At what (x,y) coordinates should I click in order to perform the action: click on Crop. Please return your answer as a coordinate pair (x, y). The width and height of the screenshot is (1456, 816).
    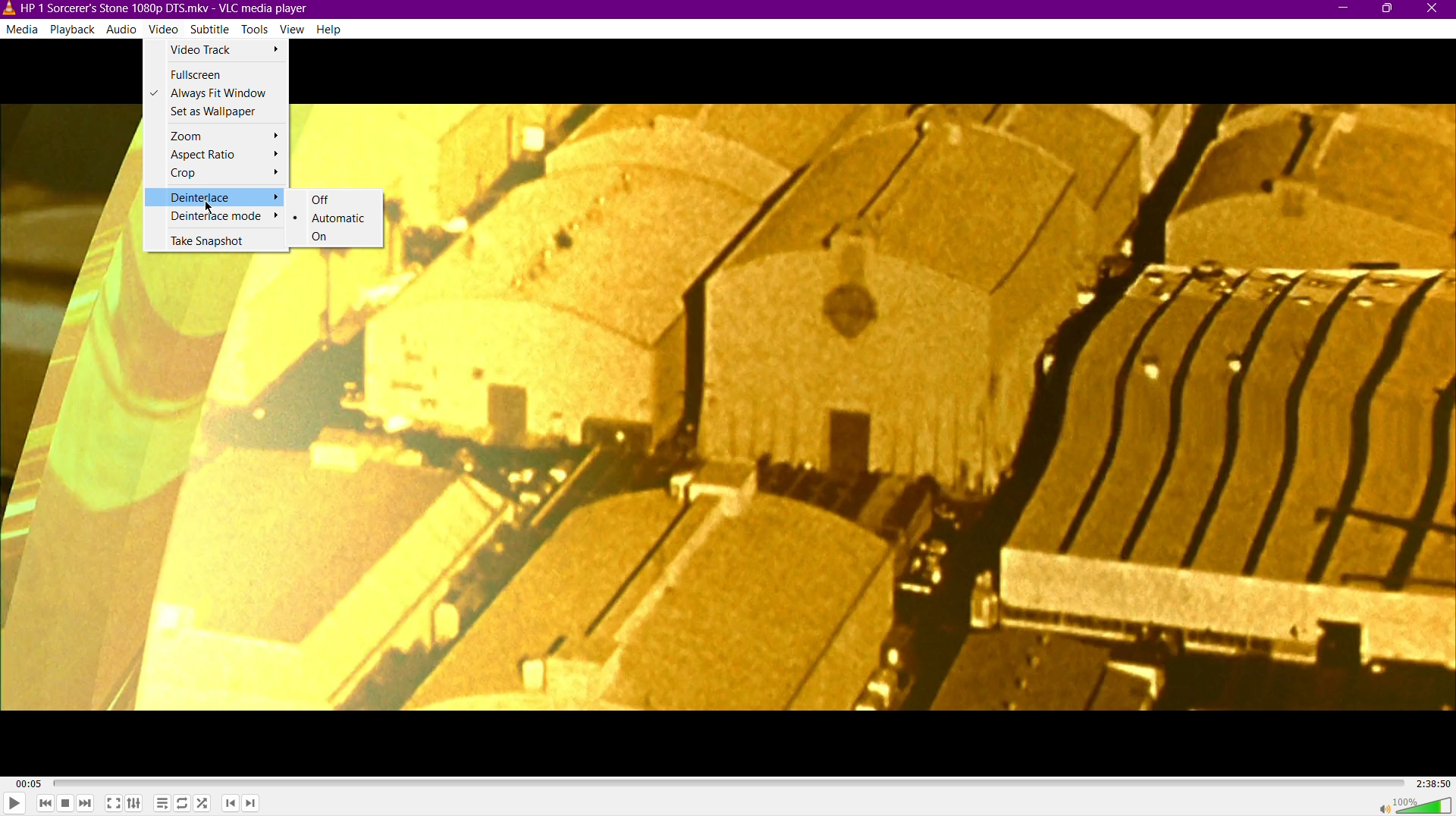
    Looking at the image, I should click on (215, 176).